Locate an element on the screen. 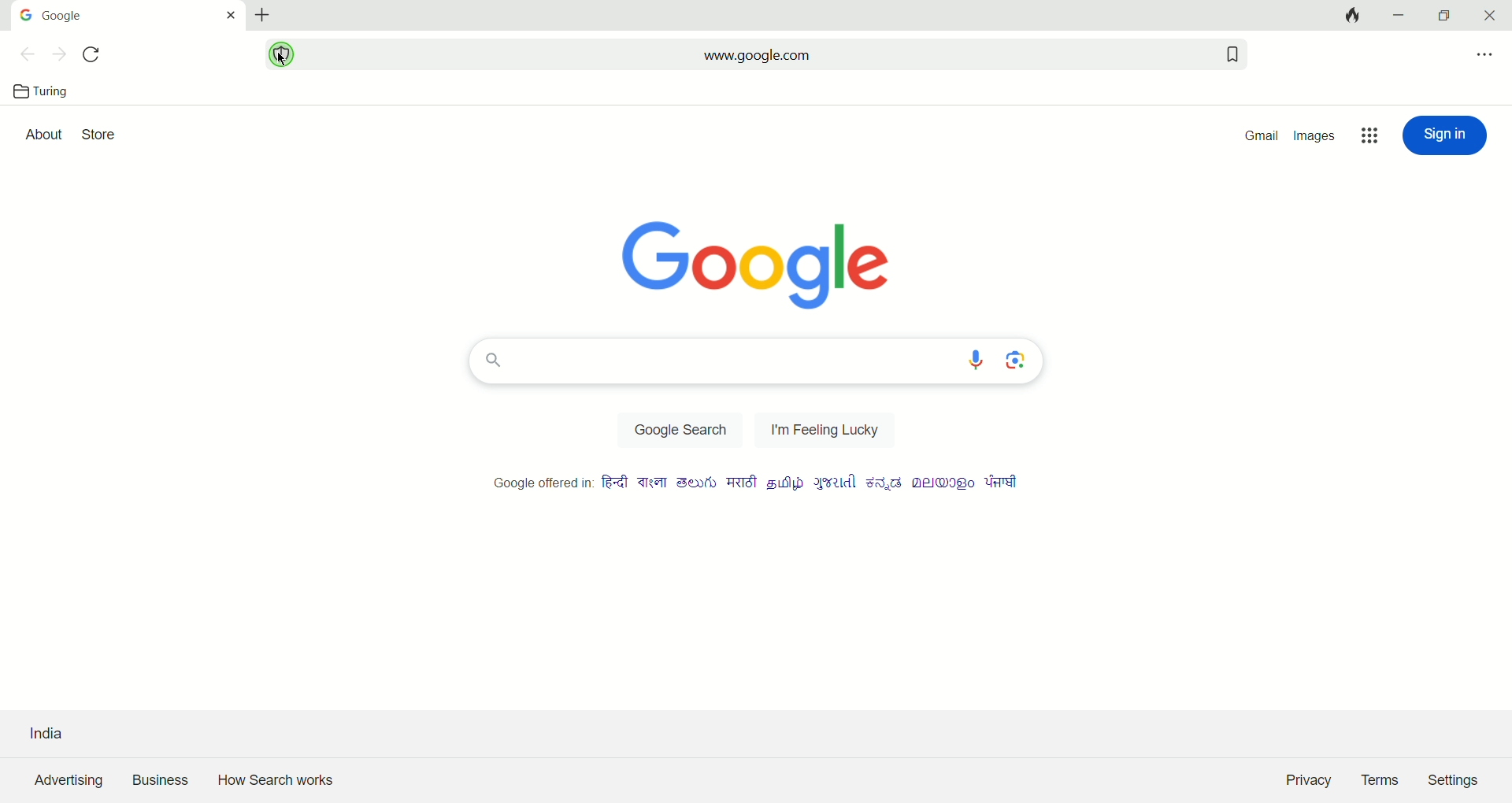 The height and width of the screenshot is (803, 1512). language is located at coordinates (835, 483).